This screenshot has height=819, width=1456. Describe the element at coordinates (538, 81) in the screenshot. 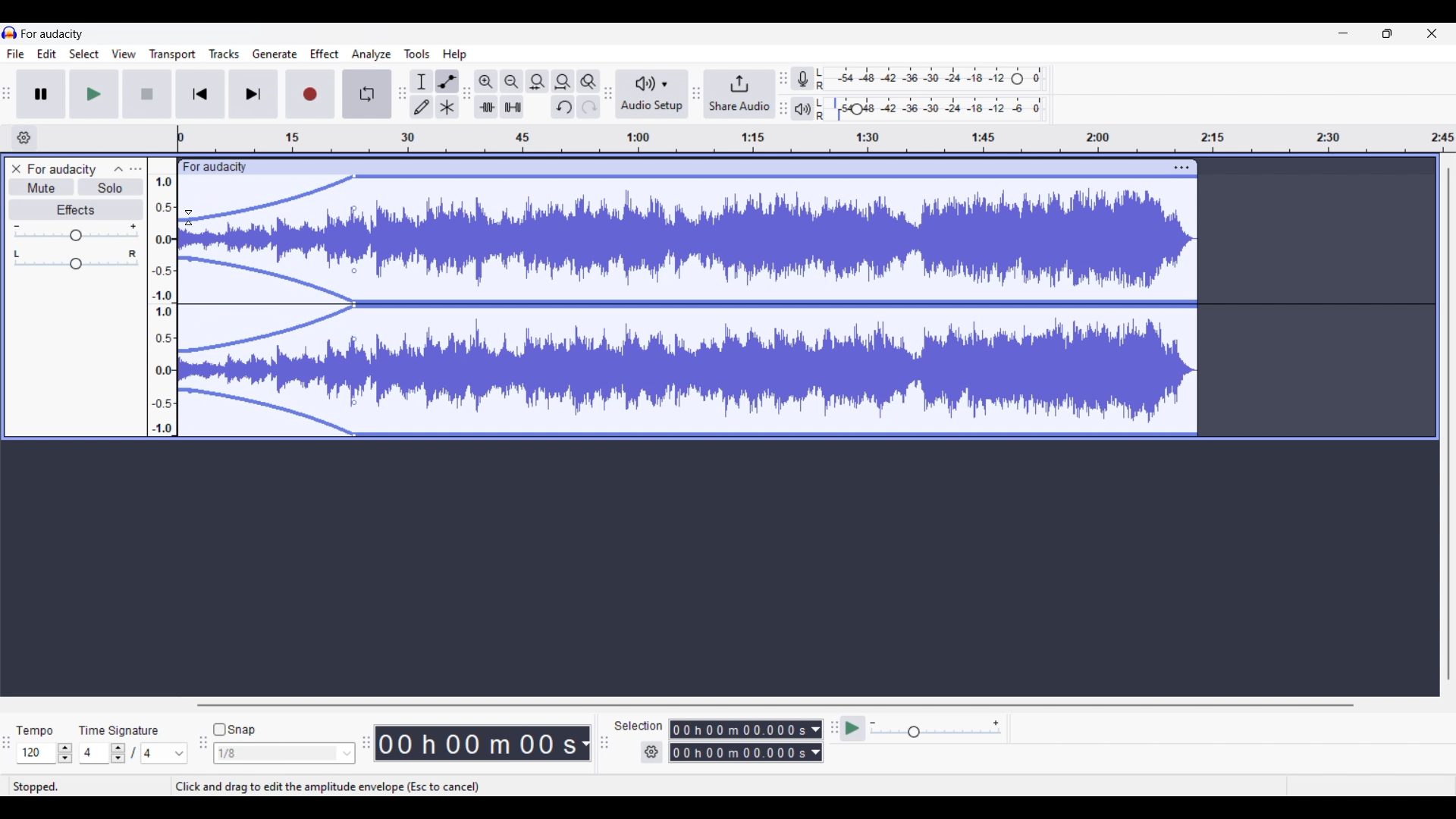

I see `Fit selection to width` at that location.